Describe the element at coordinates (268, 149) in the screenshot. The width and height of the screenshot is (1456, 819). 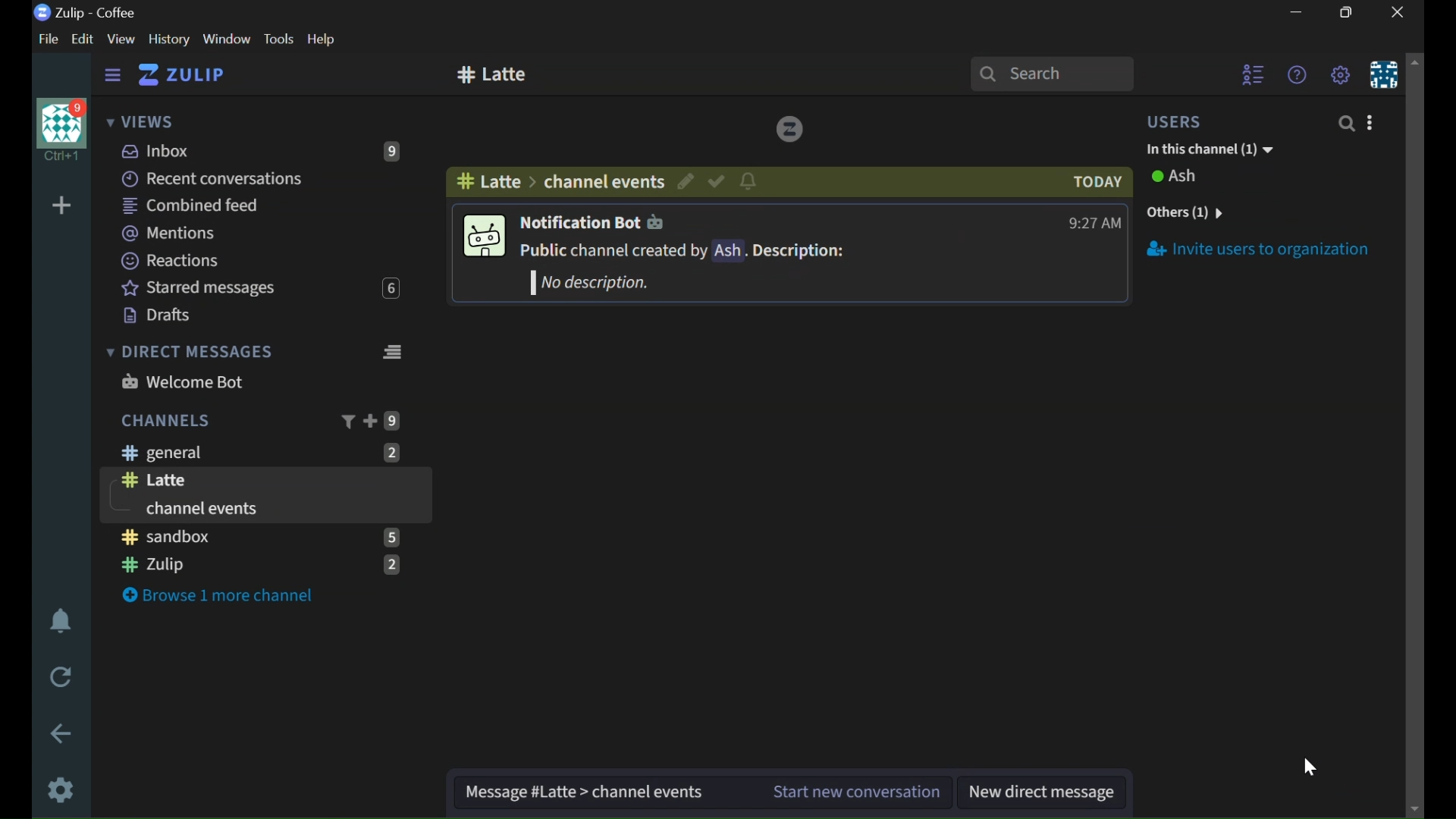
I see `INBOX` at that location.